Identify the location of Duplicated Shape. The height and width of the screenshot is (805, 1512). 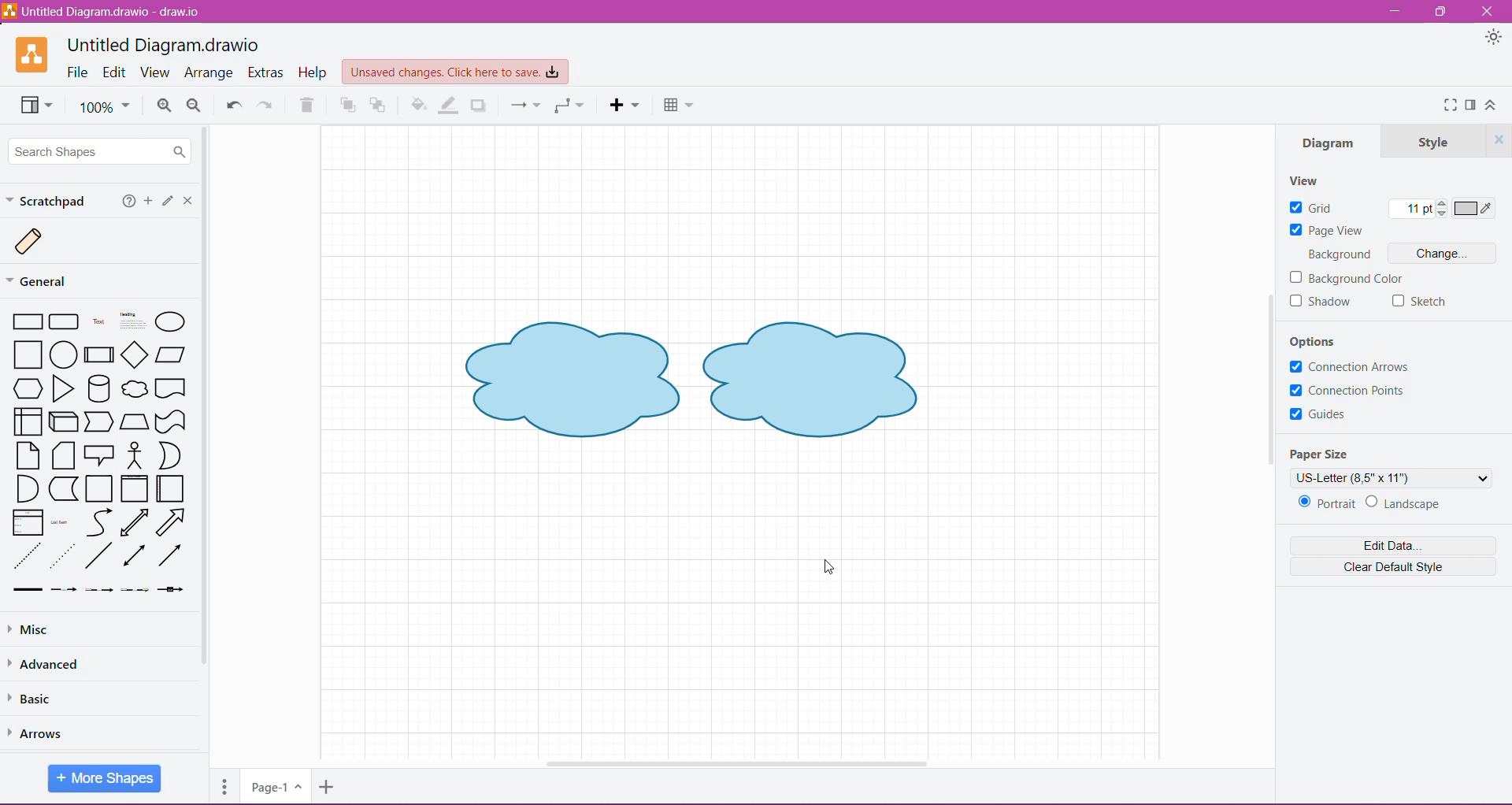
(816, 382).